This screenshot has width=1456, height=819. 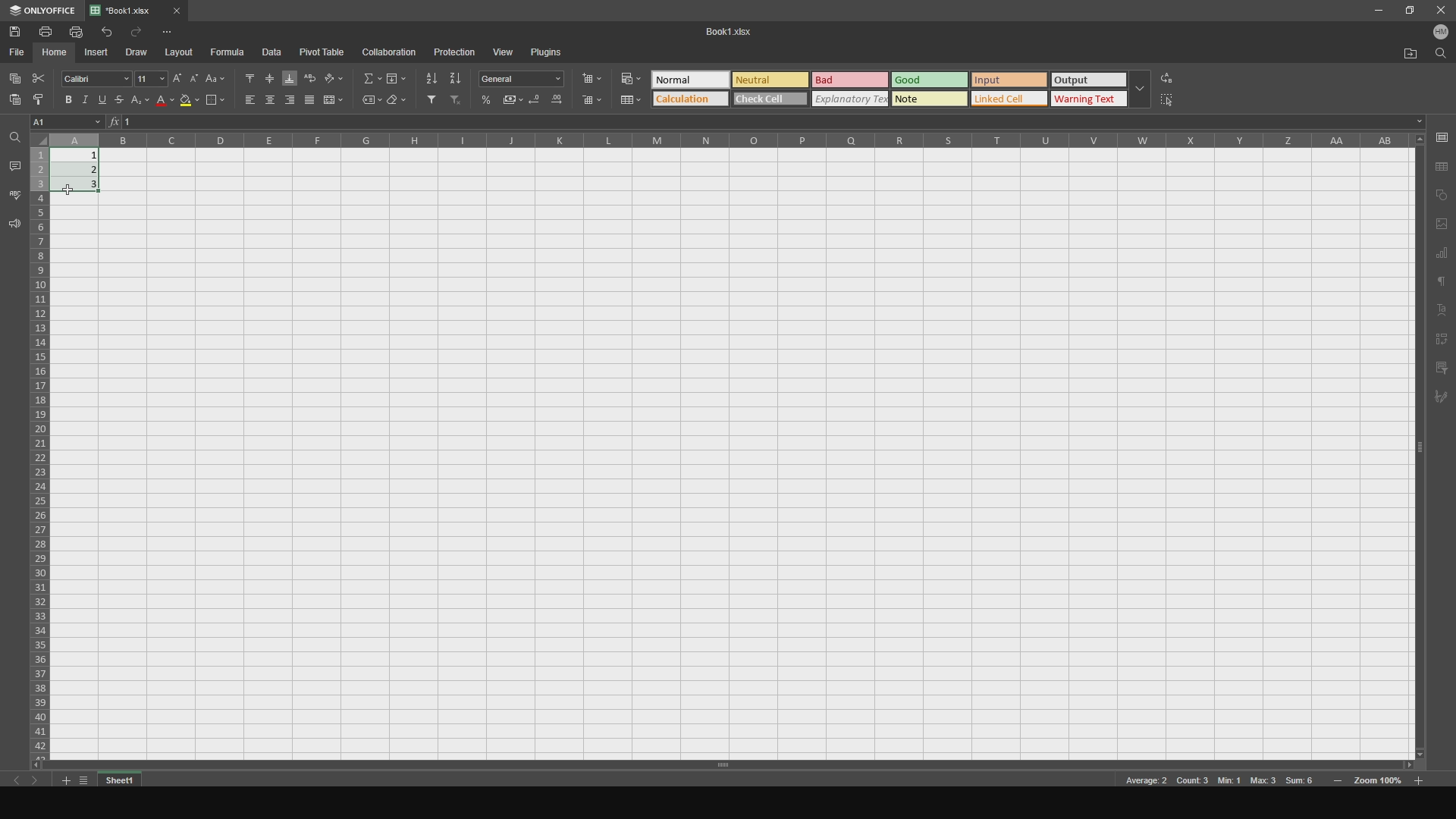 What do you see at coordinates (488, 99) in the screenshot?
I see `` at bounding box center [488, 99].